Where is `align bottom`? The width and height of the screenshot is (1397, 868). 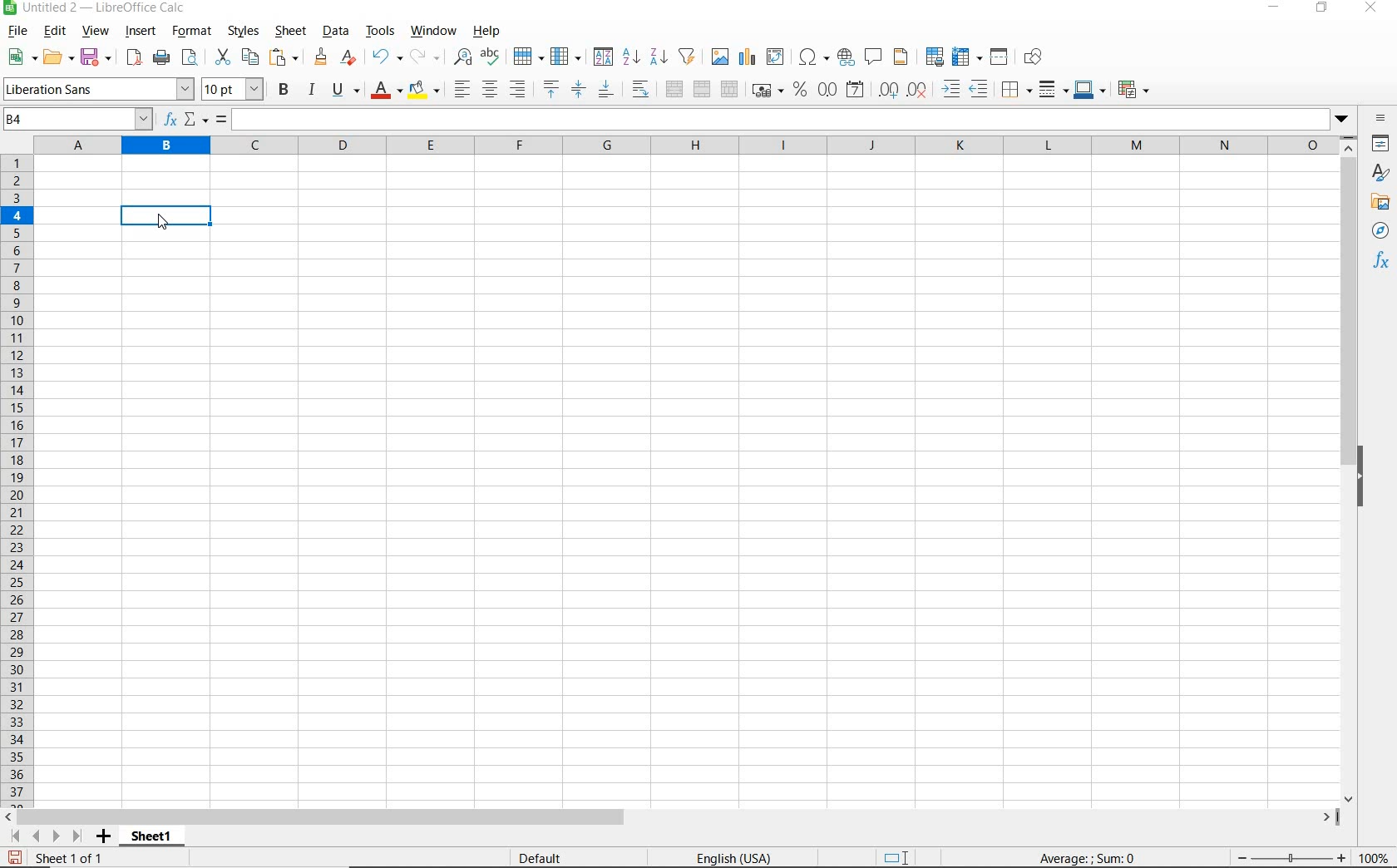
align bottom is located at coordinates (606, 91).